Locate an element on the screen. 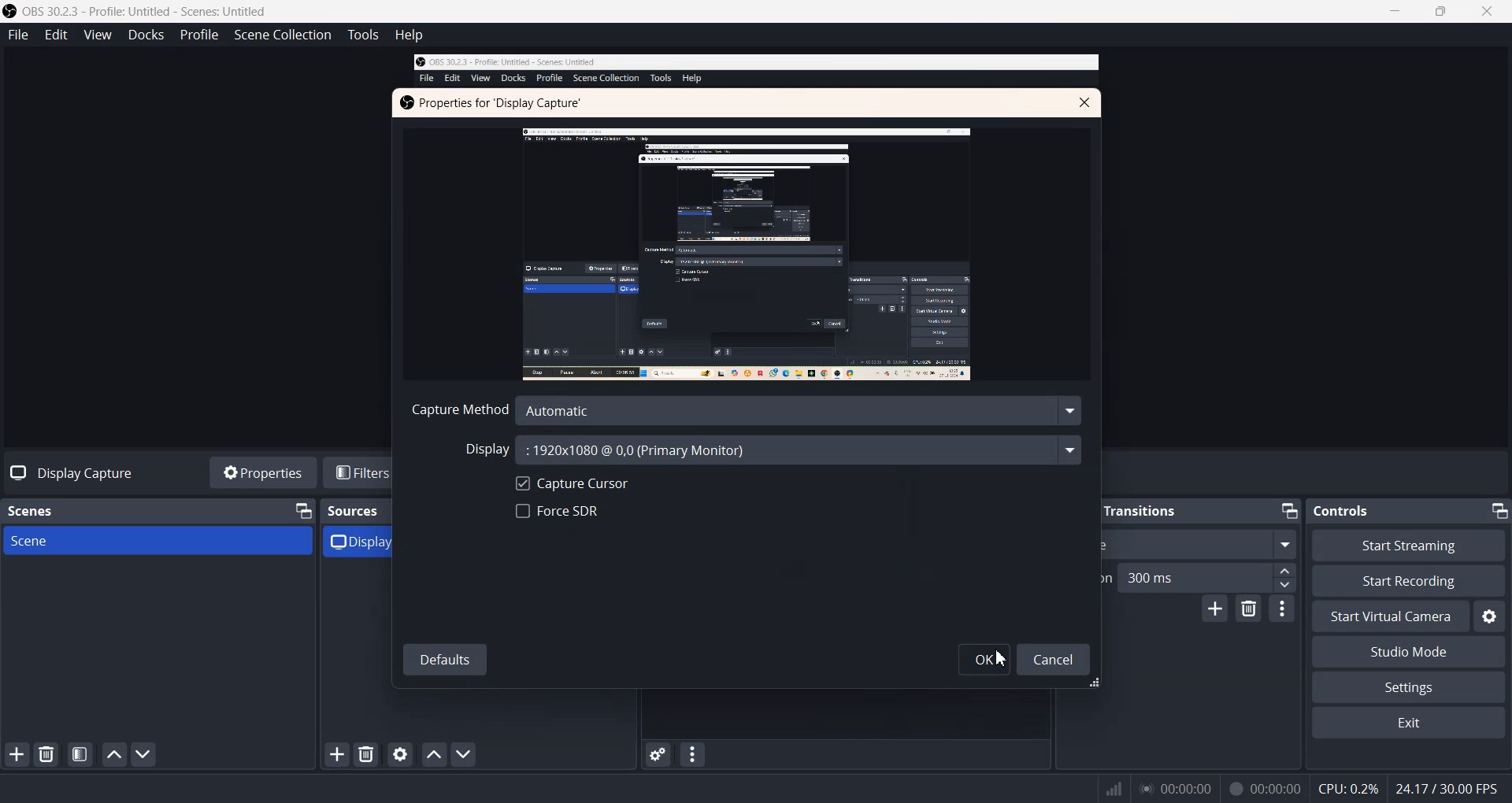 This screenshot has width=1512, height=803. transition properties  is located at coordinates (1282, 609).